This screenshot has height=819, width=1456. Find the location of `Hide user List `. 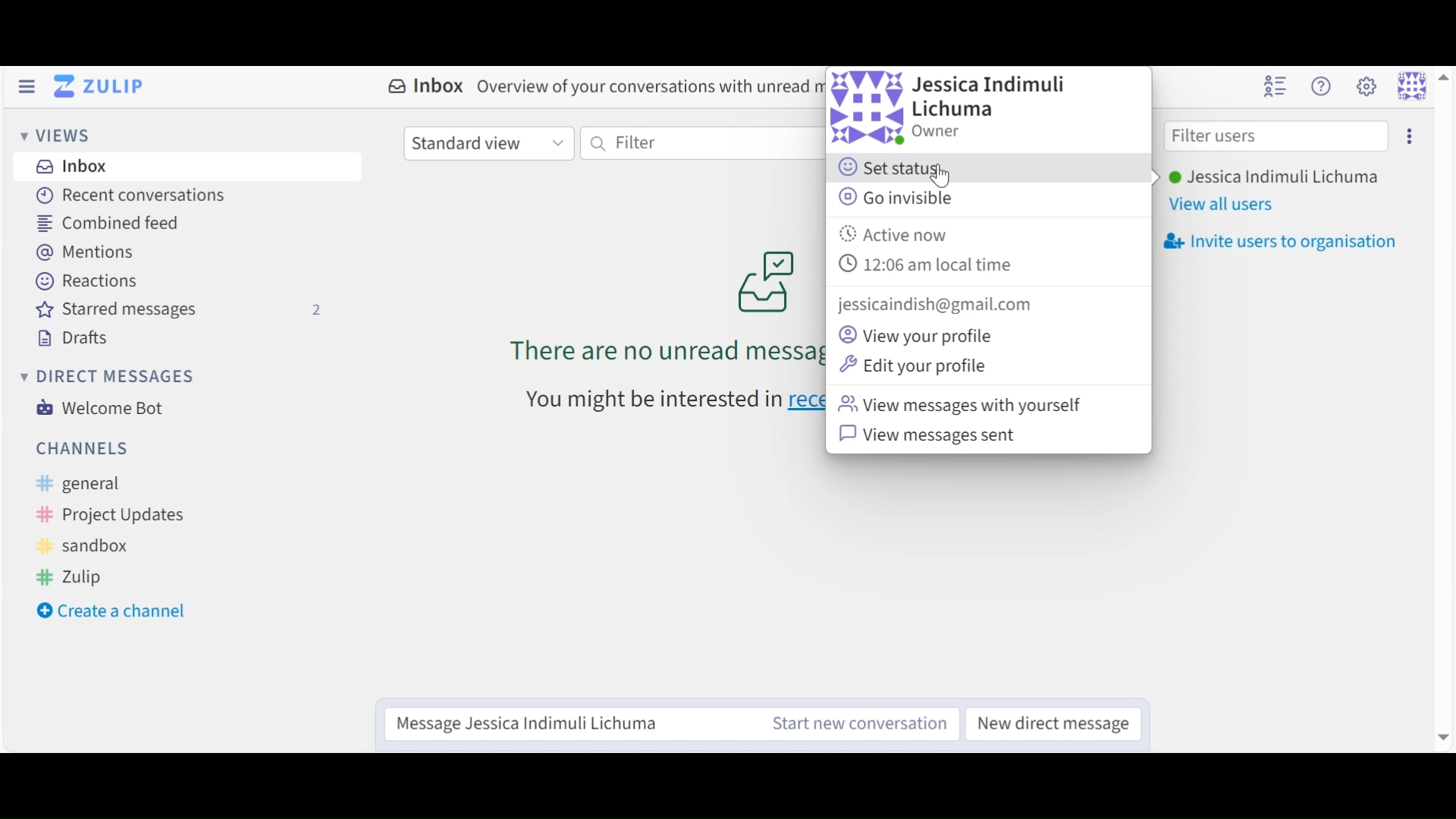

Hide user List  is located at coordinates (1275, 85).